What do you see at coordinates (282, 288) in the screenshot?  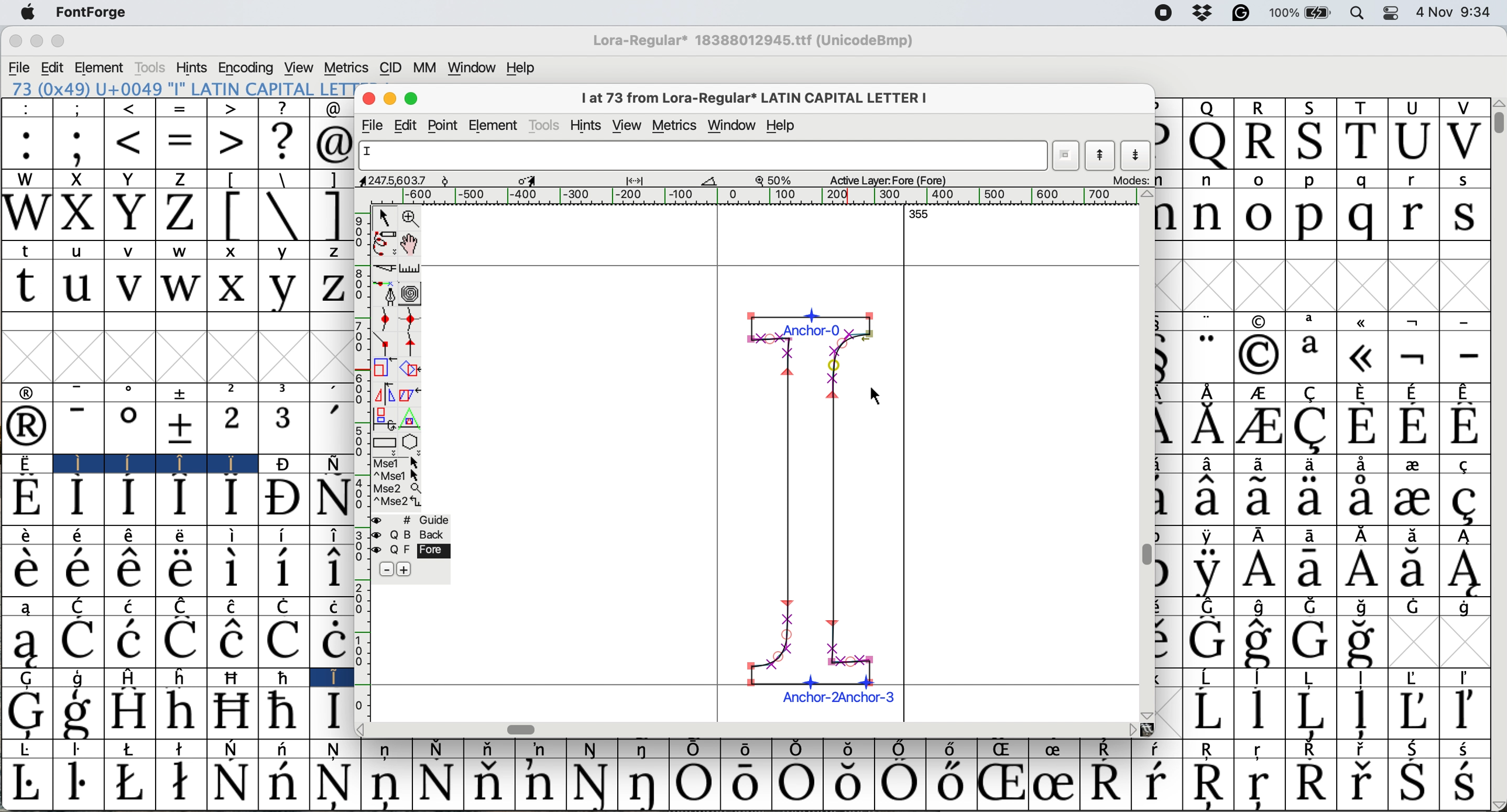 I see `y` at bounding box center [282, 288].